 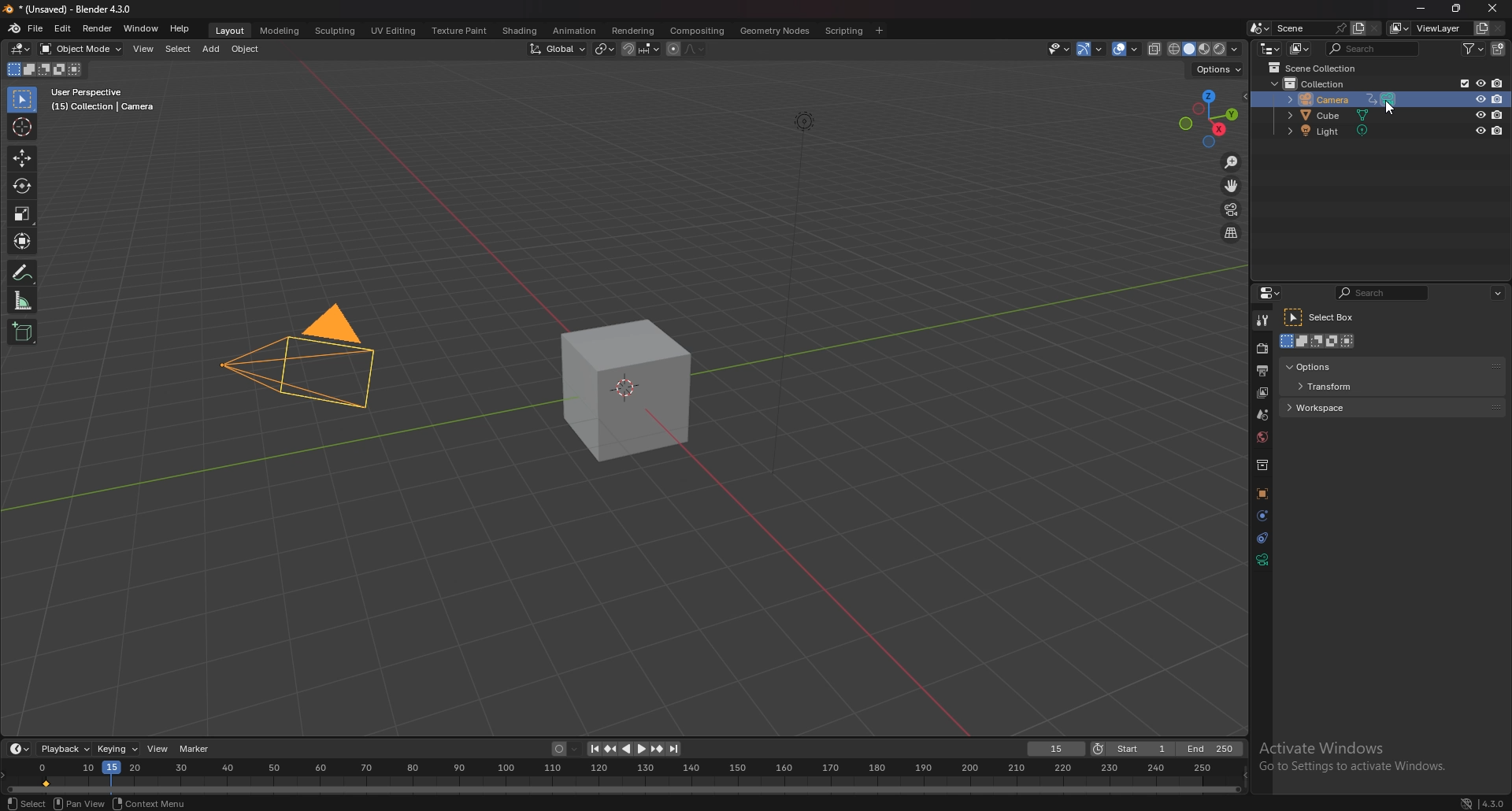 I want to click on add scene, so click(x=1357, y=29).